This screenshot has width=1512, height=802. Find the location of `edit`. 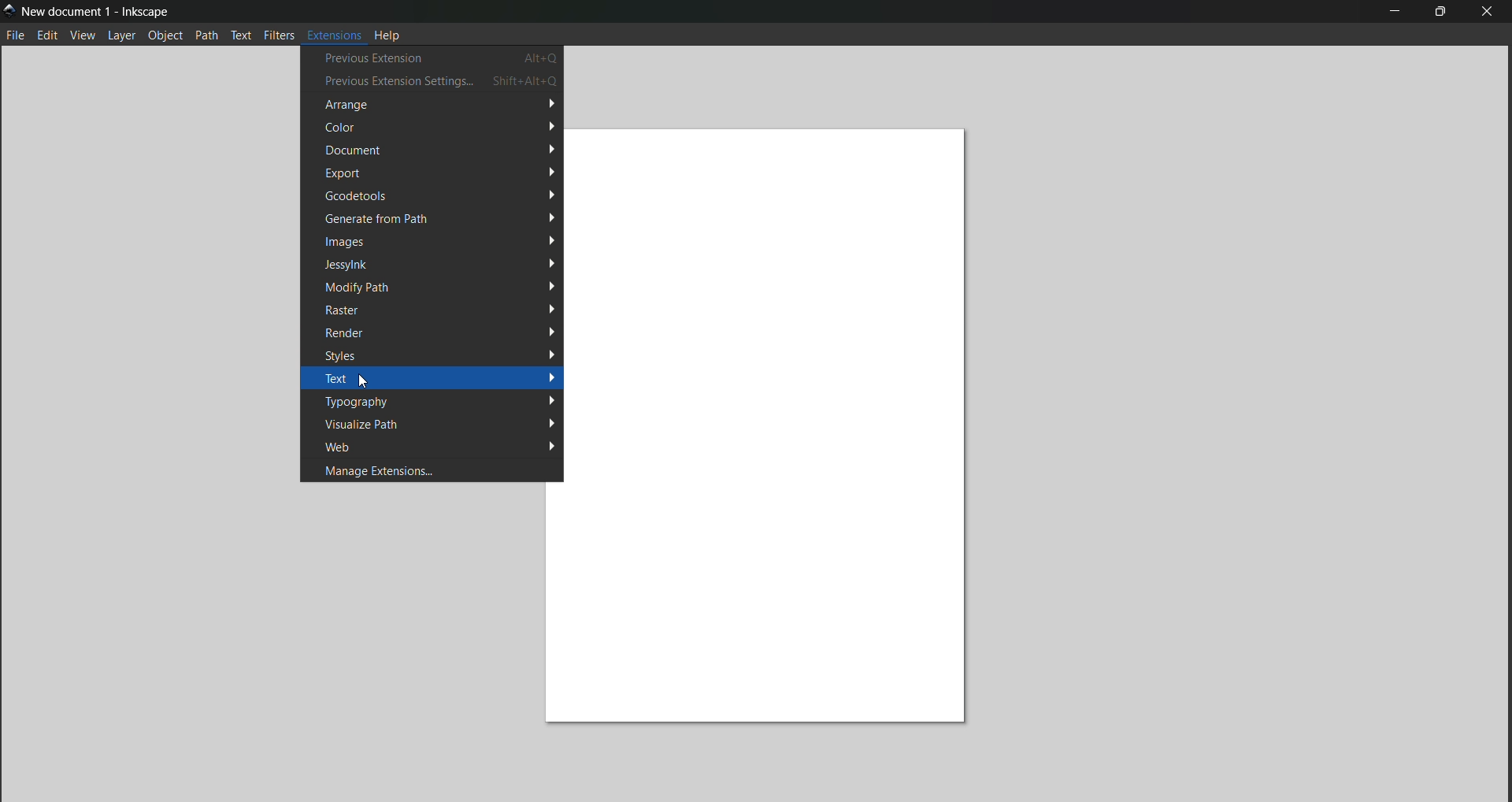

edit is located at coordinates (48, 36).